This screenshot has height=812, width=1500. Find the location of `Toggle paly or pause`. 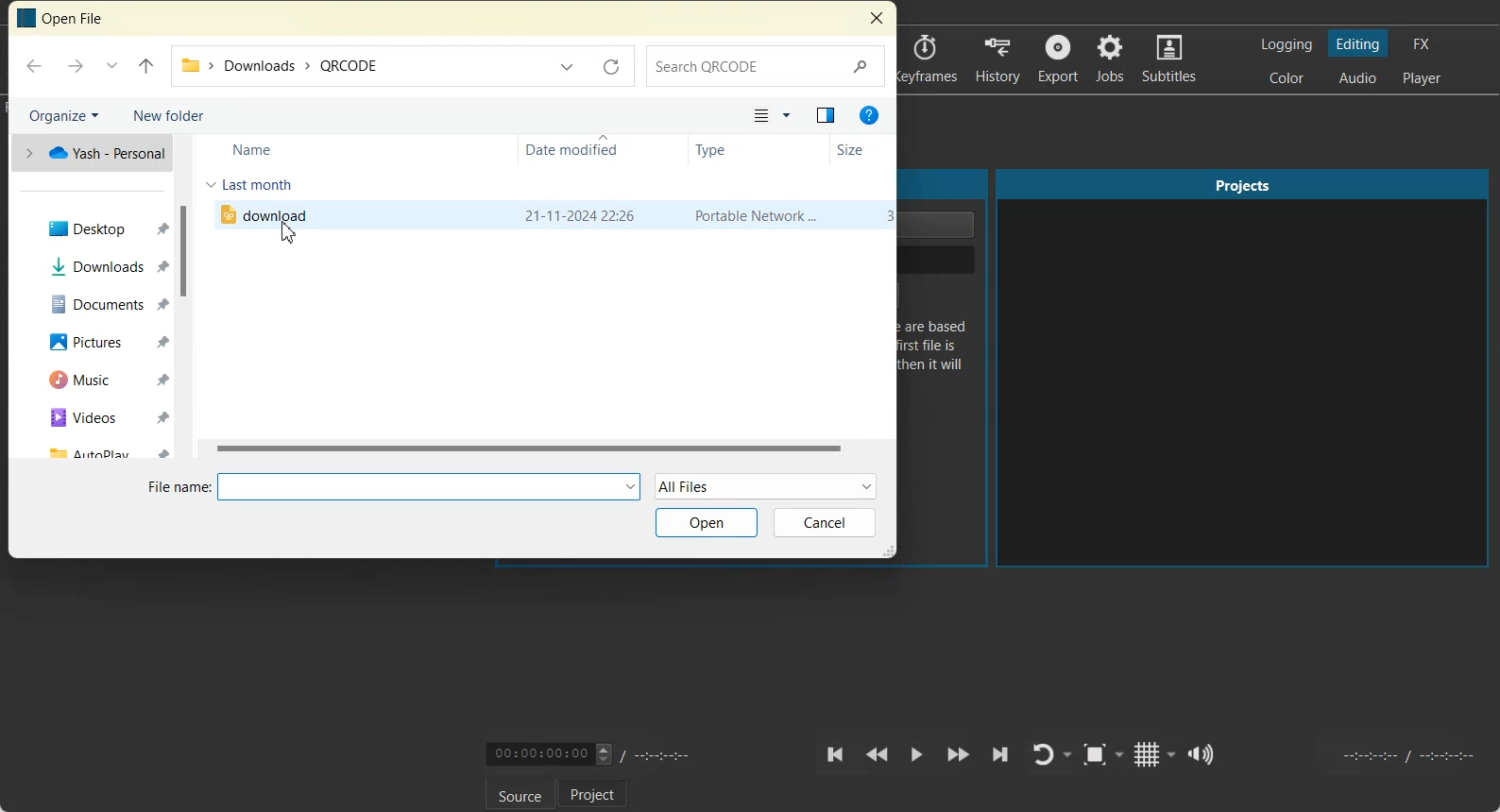

Toggle paly or pause is located at coordinates (915, 755).